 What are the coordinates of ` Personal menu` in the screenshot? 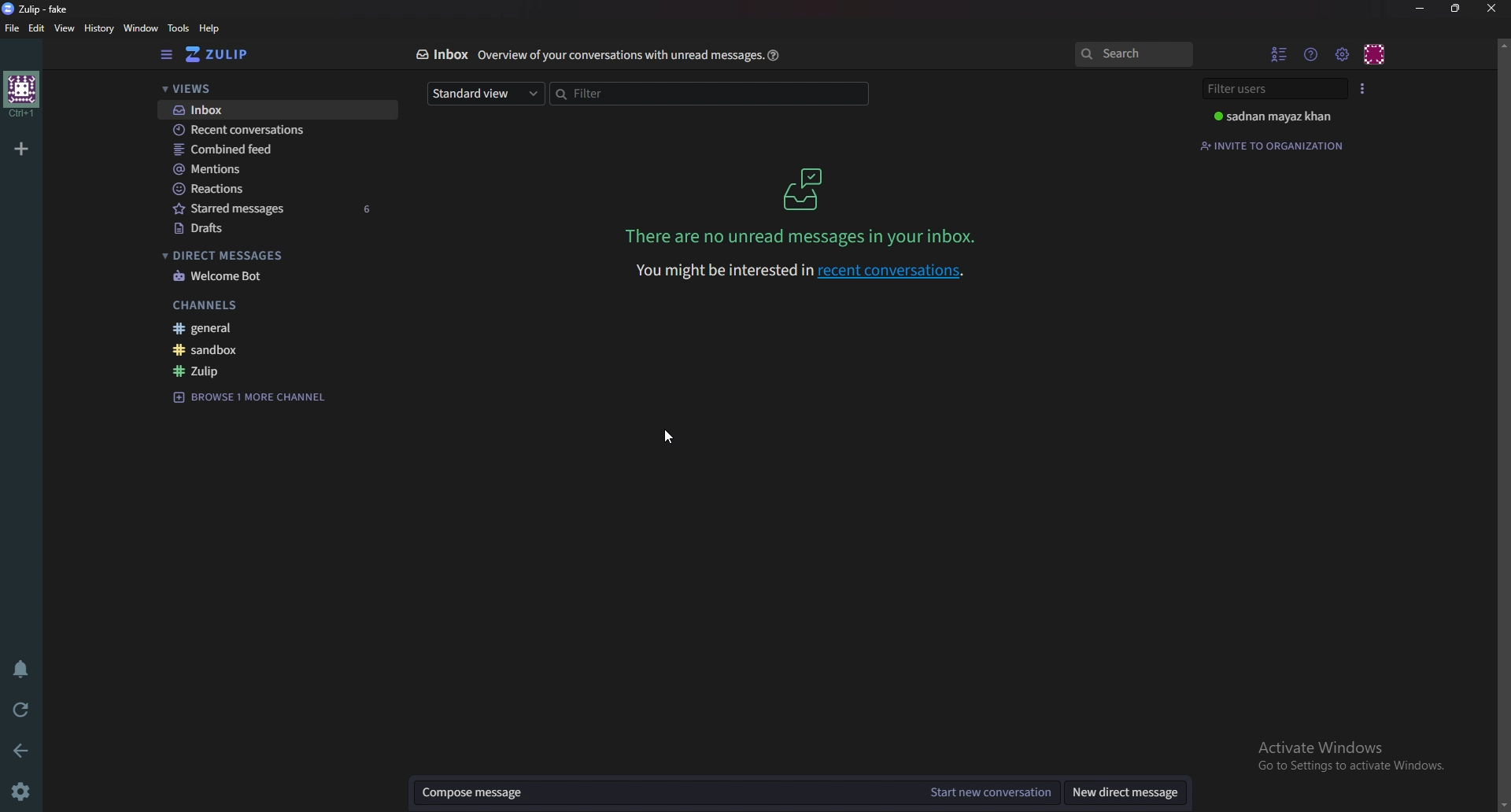 It's located at (1375, 54).